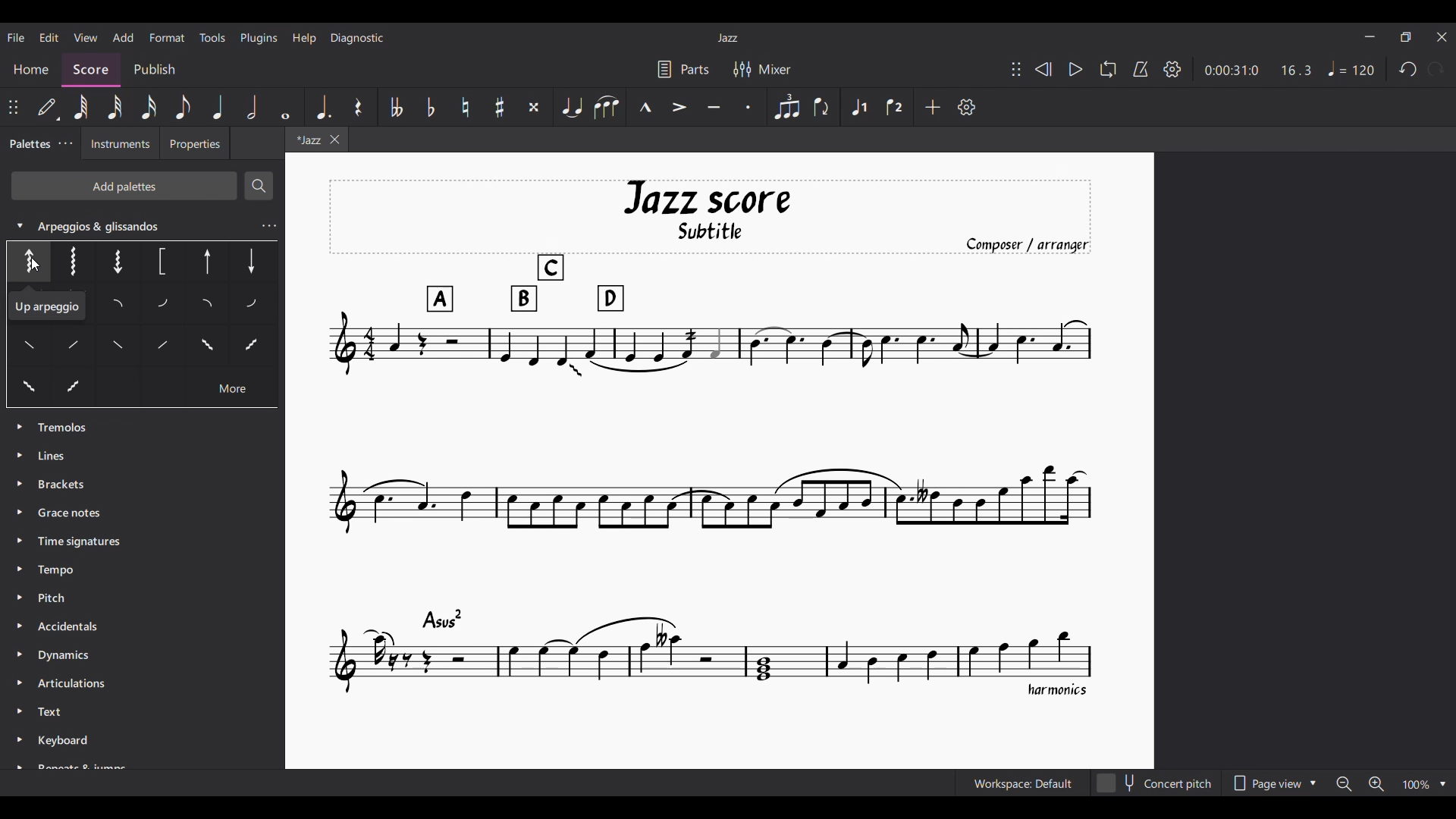 The height and width of the screenshot is (819, 1456). I want to click on Rest, so click(358, 108).